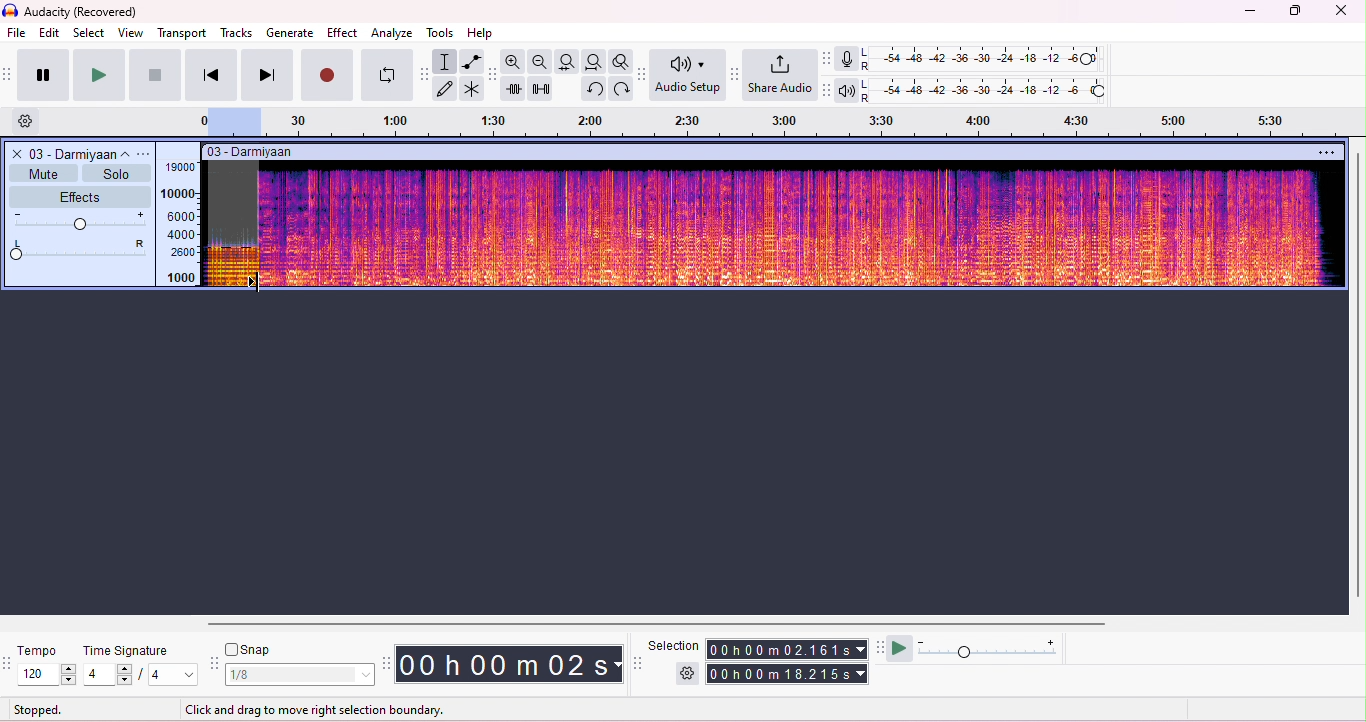 The image size is (1366, 722). I want to click on selection time, so click(789, 649).